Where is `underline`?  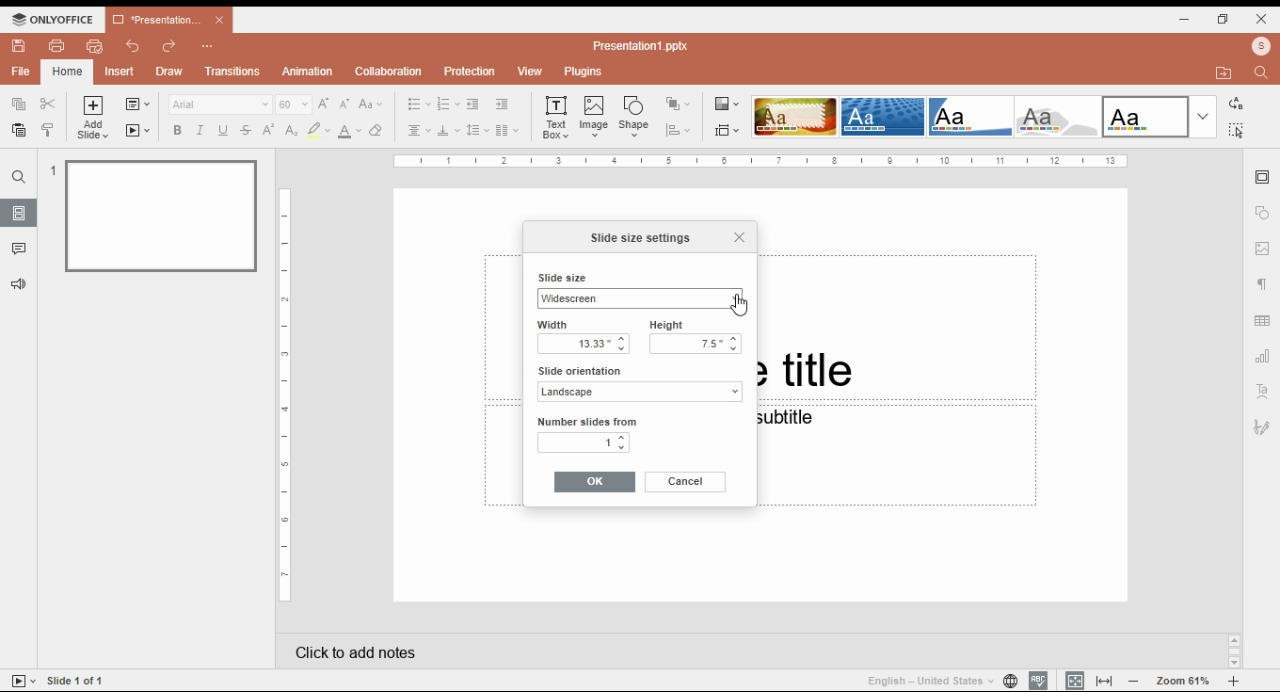 underline is located at coordinates (222, 130).